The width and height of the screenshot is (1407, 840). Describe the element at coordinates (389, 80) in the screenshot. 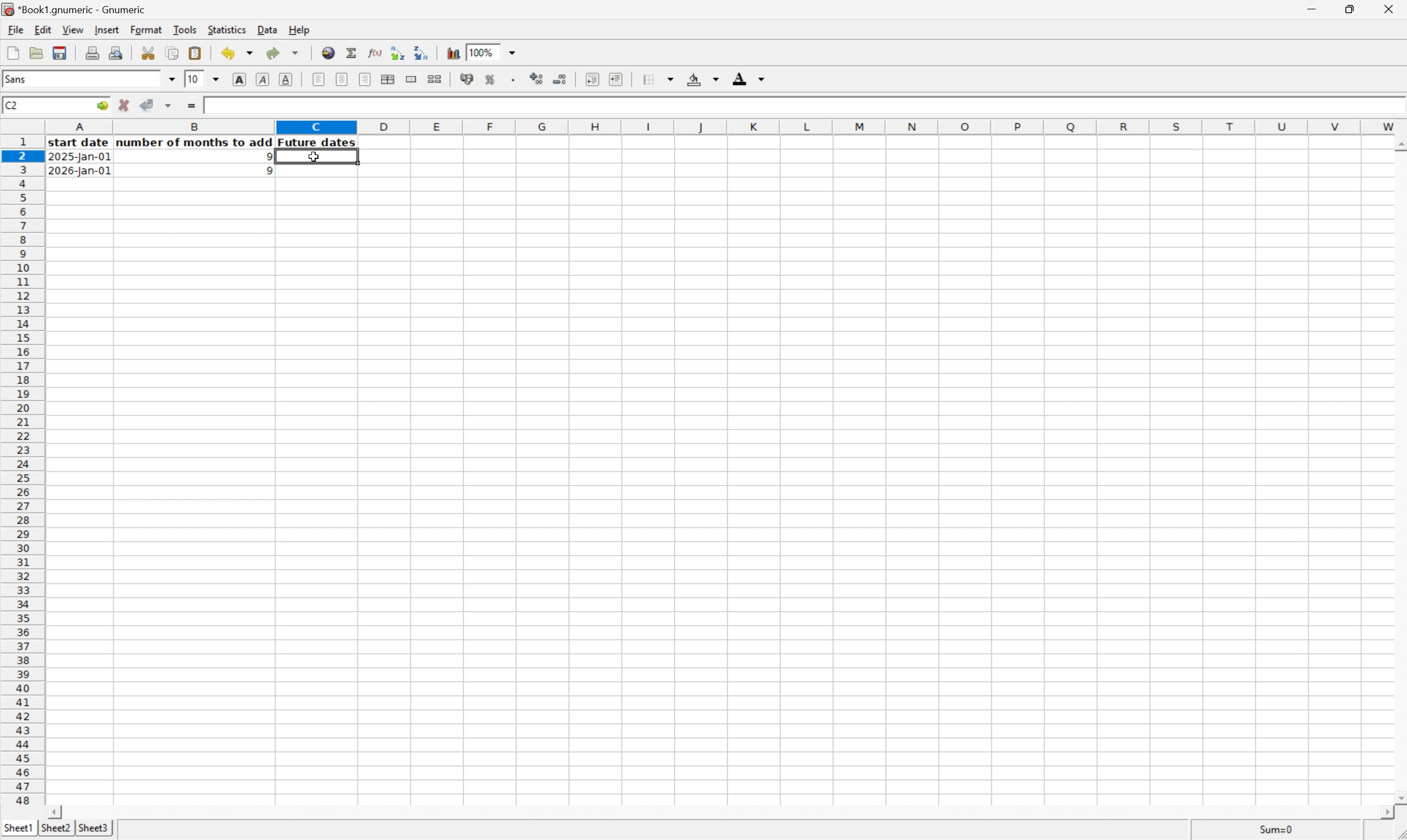

I see `Center horizontally across selection` at that location.